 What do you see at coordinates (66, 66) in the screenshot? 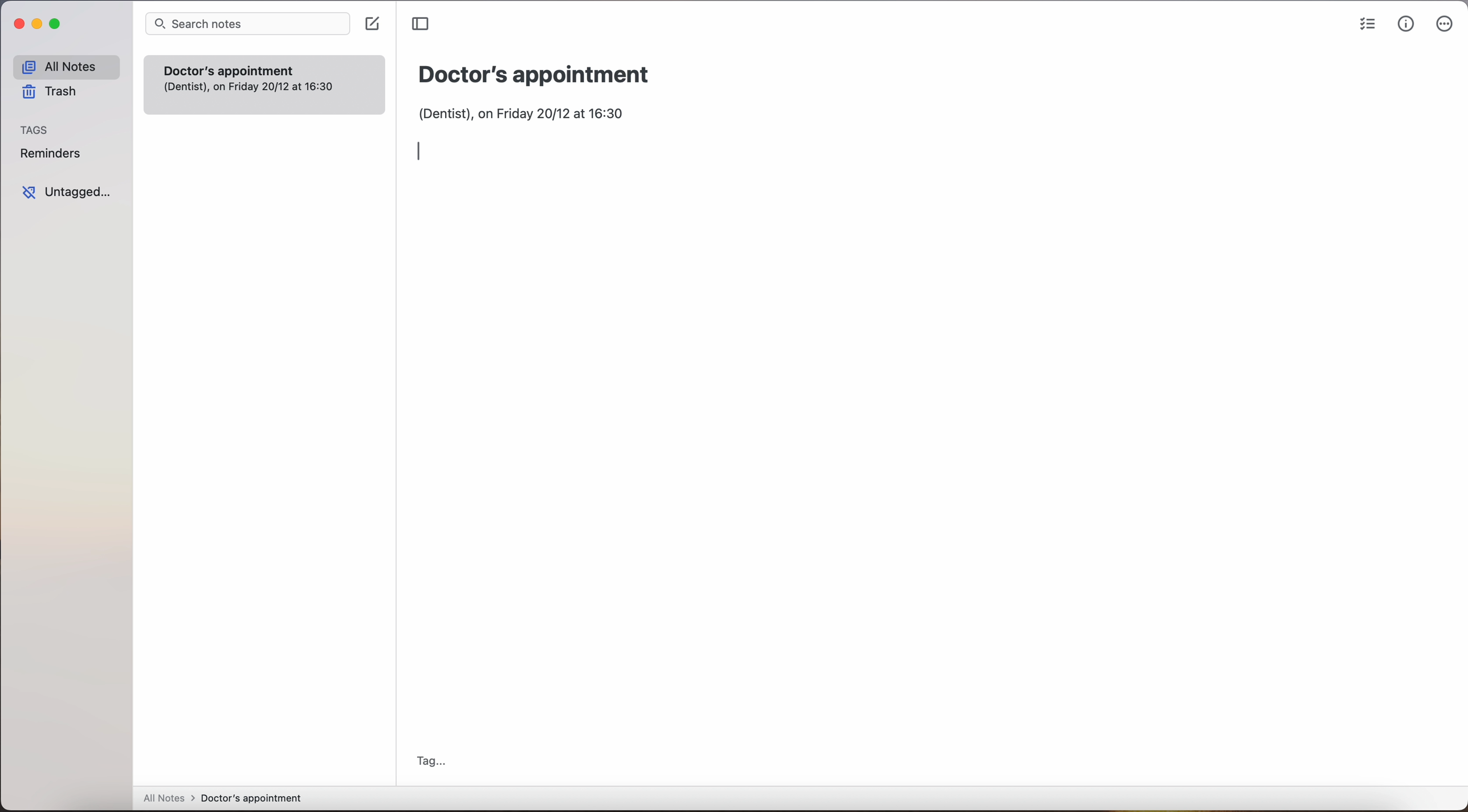
I see `all notes` at bounding box center [66, 66].